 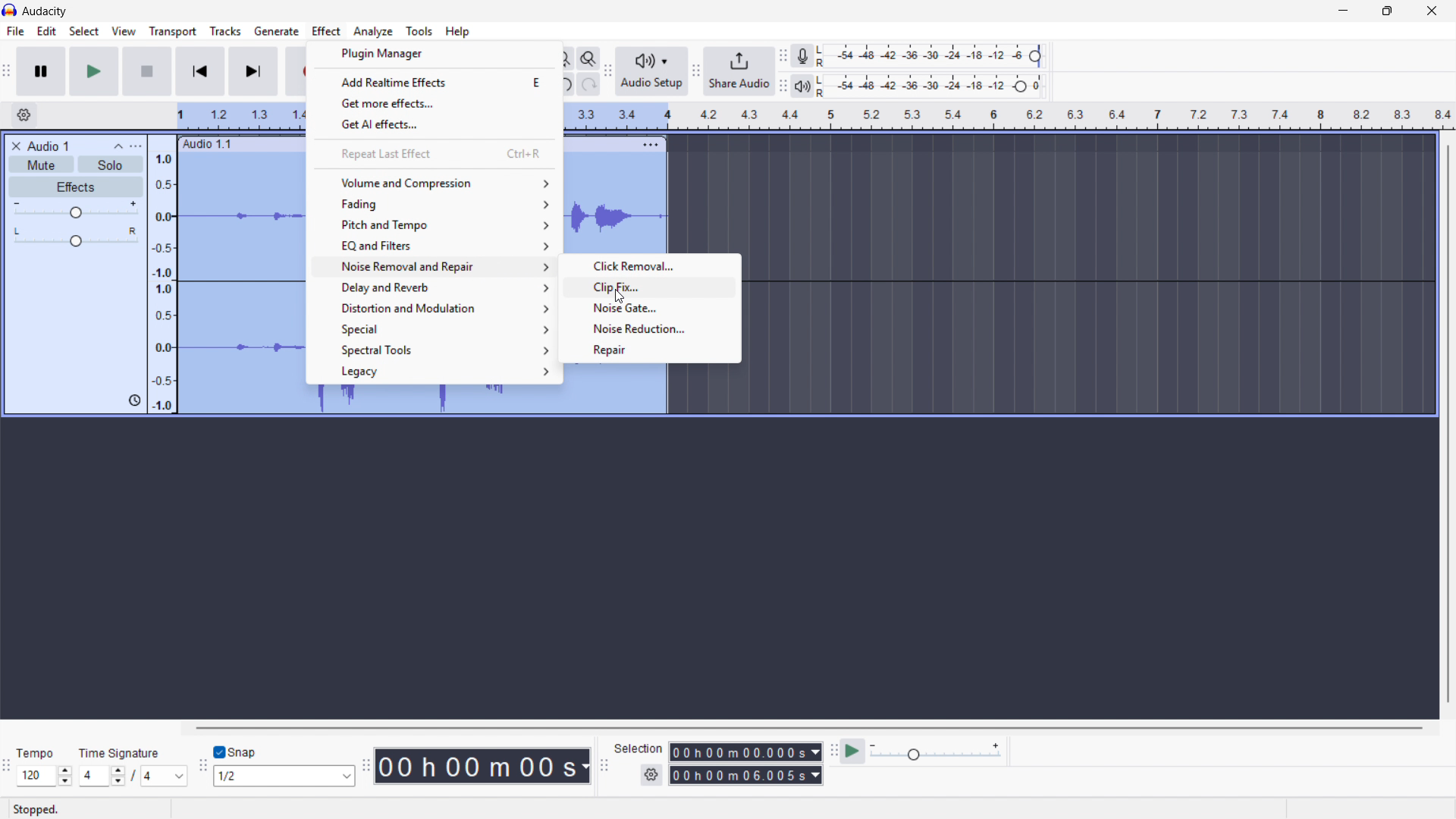 I want to click on Analyse, so click(x=372, y=31).